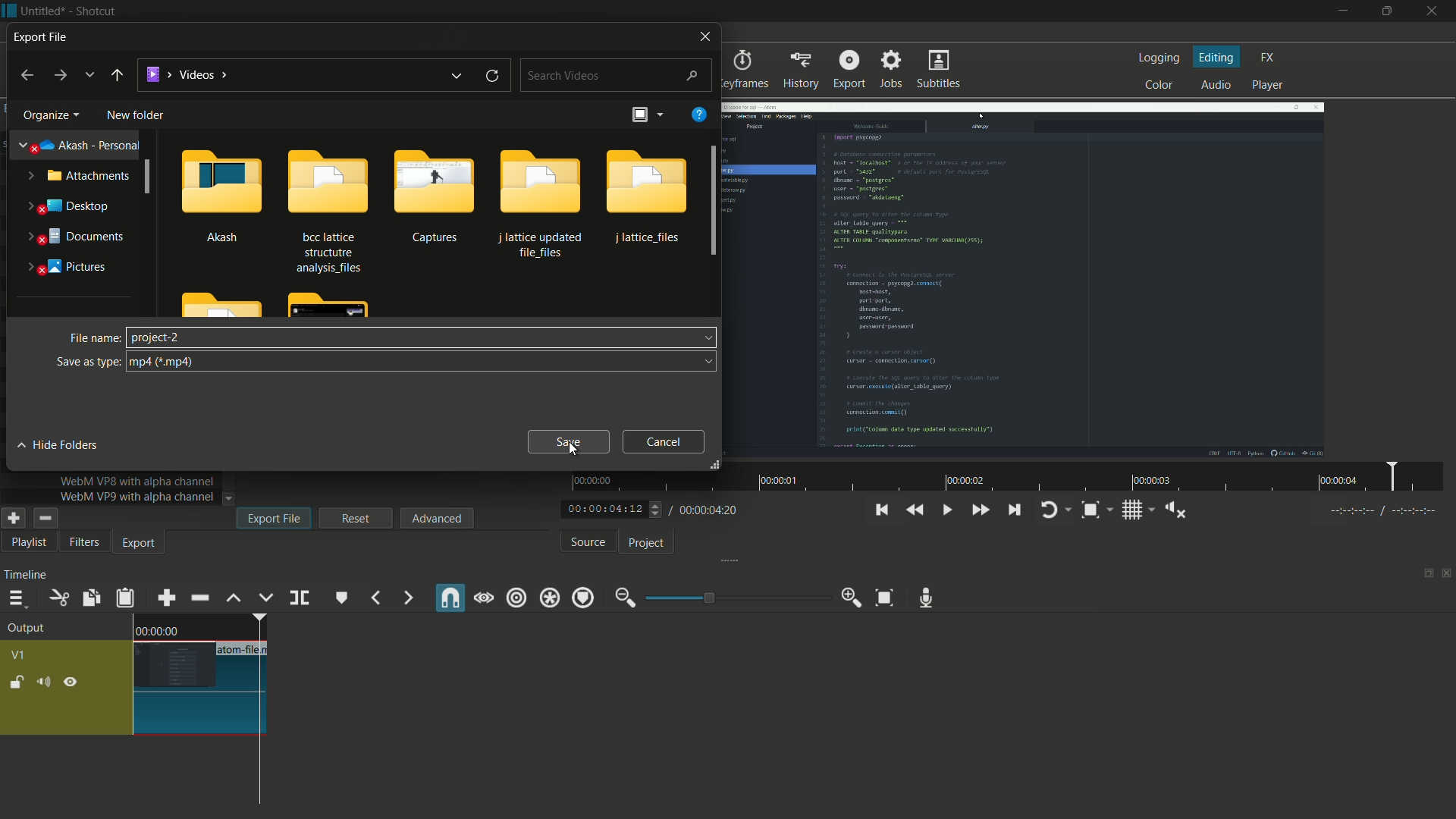 The width and height of the screenshot is (1456, 819). What do you see at coordinates (84, 543) in the screenshot?
I see `filters` at bounding box center [84, 543].